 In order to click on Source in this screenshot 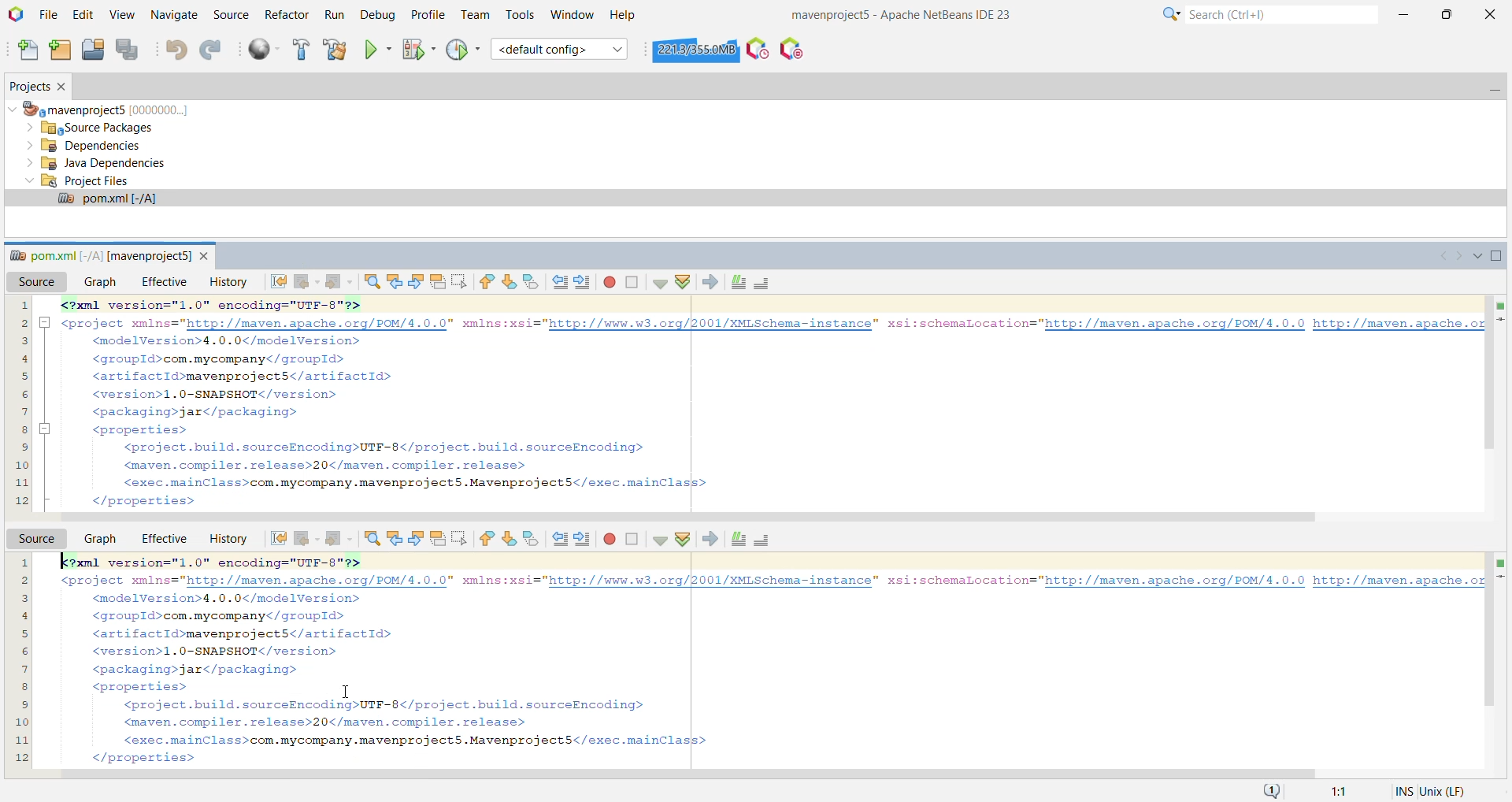, I will do `click(230, 15)`.